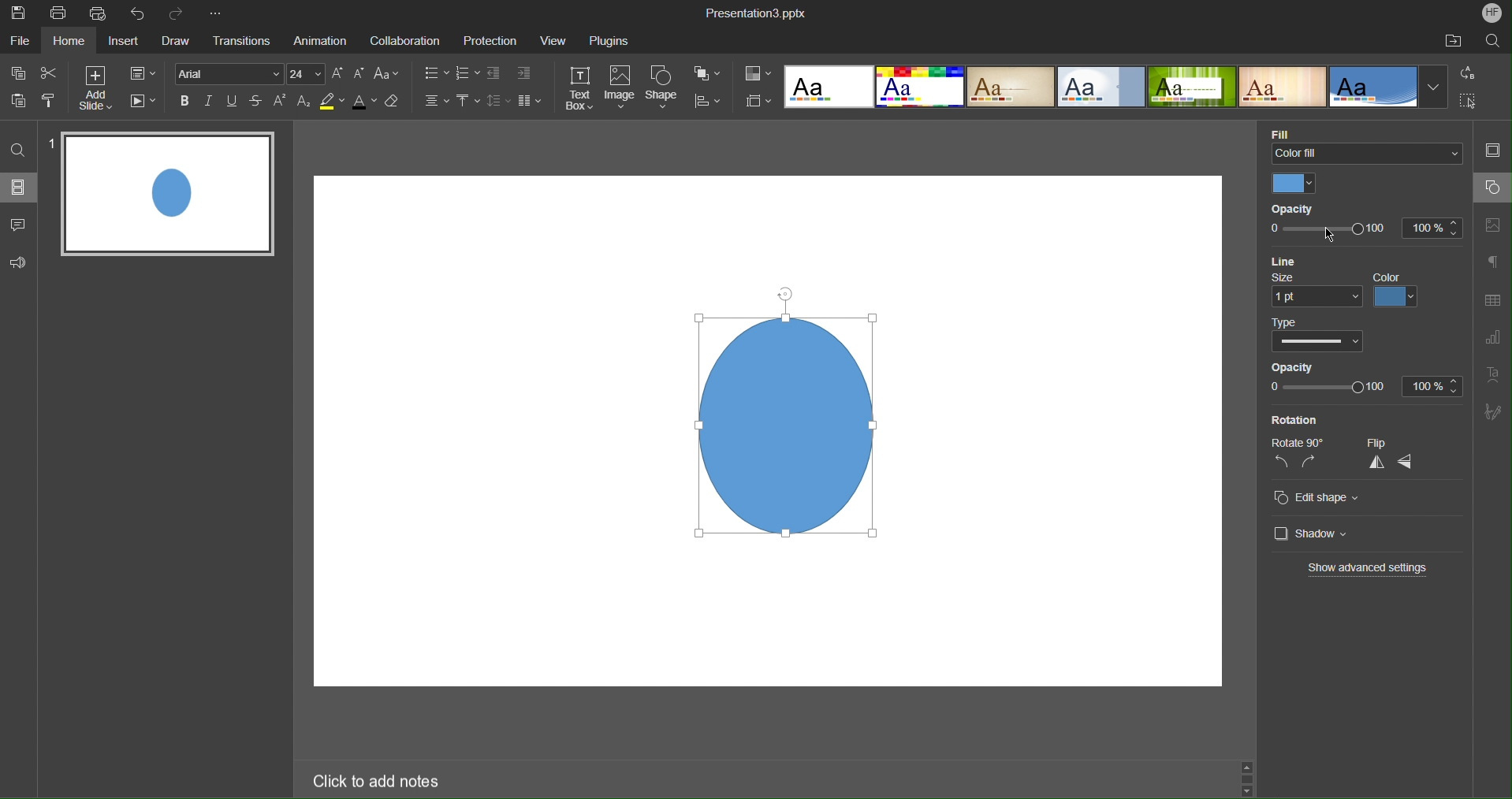 The height and width of the screenshot is (799, 1512). What do you see at coordinates (257, 103) in the screenshot?
I see `Strikethrough` at bounding box center [257, 103].